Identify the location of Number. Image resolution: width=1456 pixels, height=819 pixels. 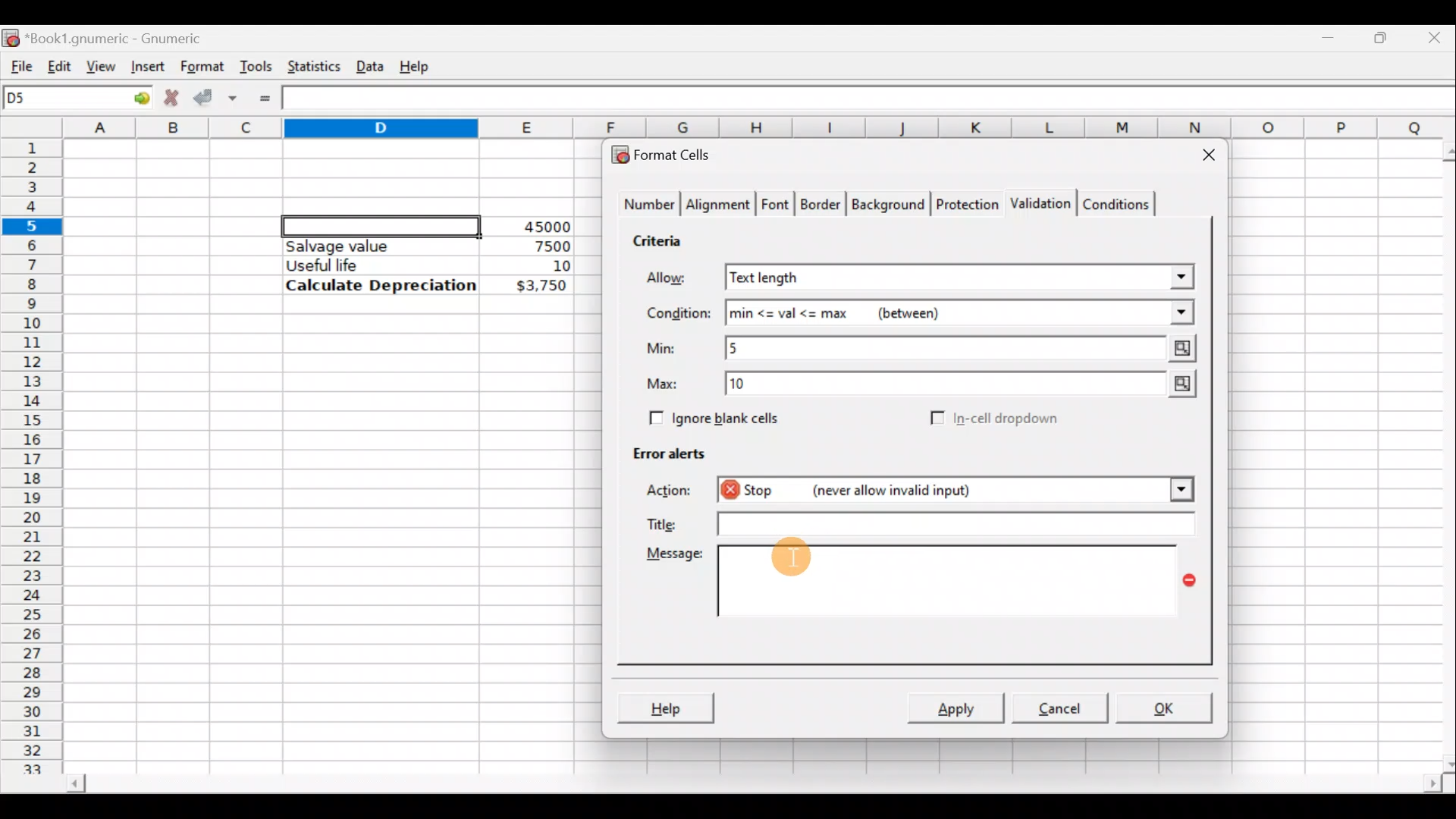
(645, 206).